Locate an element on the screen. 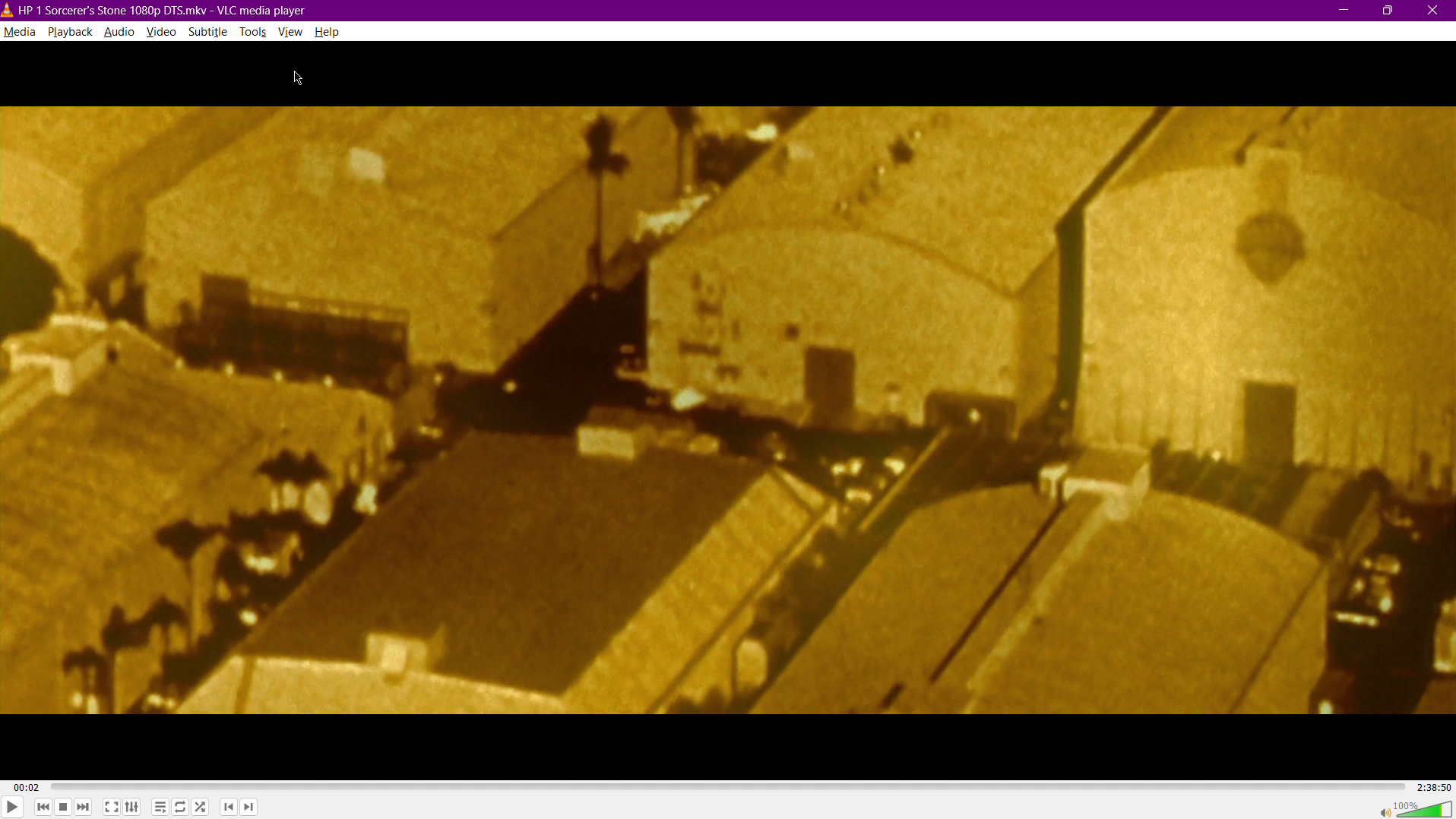 Image resolution: width=1456 pixels, height=819 pixels. Volume 100% is located at coordinates (1410, 808).